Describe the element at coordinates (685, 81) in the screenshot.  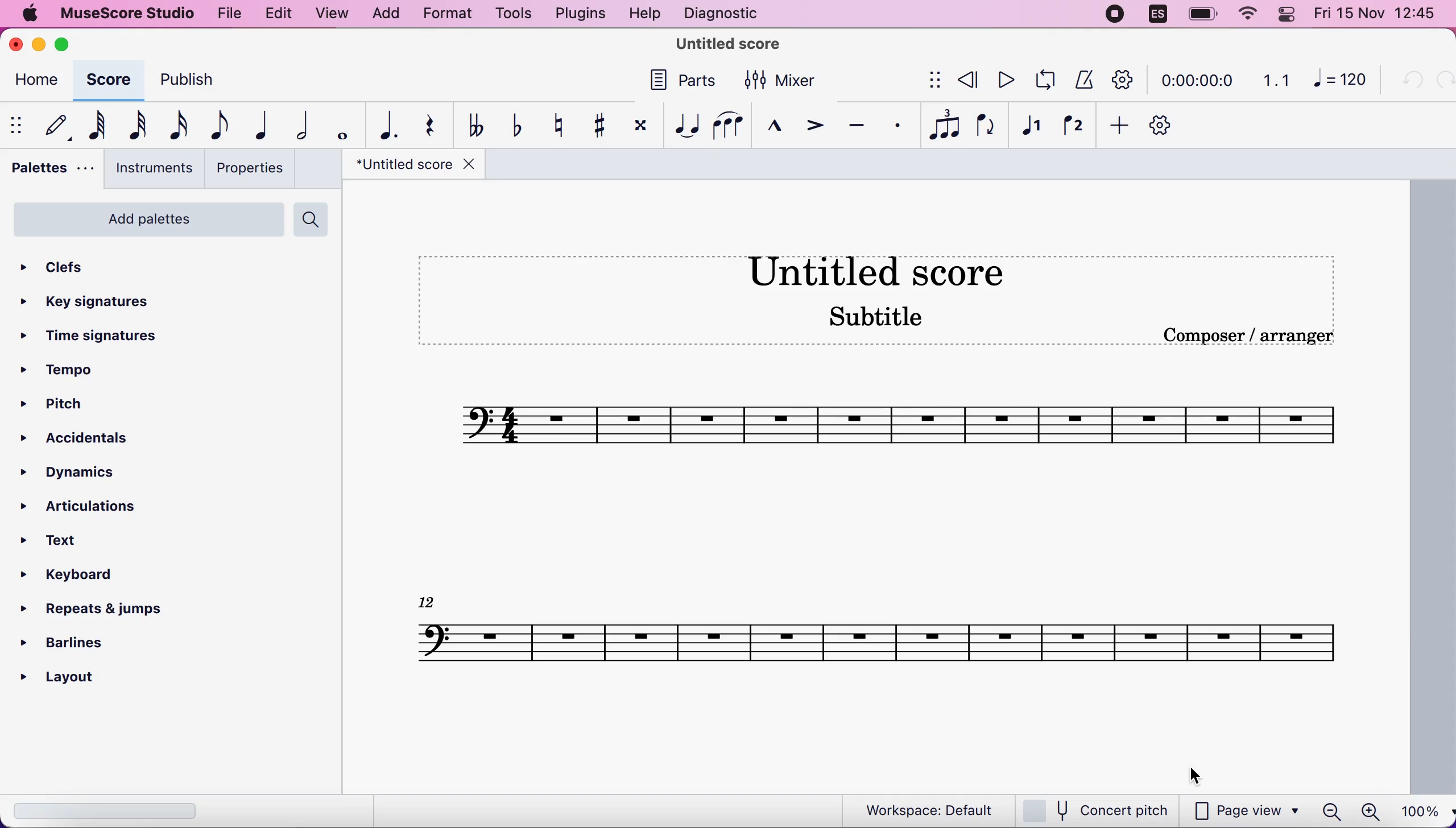
I see `` at that location.